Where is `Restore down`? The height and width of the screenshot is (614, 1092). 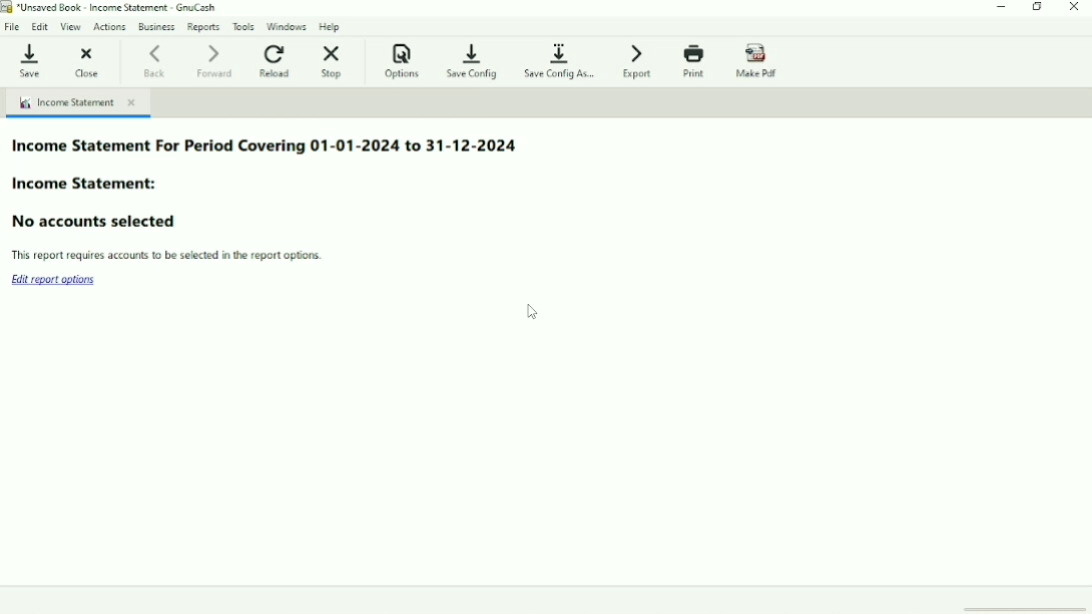 Restore down is located at coordinates (1038, 8).